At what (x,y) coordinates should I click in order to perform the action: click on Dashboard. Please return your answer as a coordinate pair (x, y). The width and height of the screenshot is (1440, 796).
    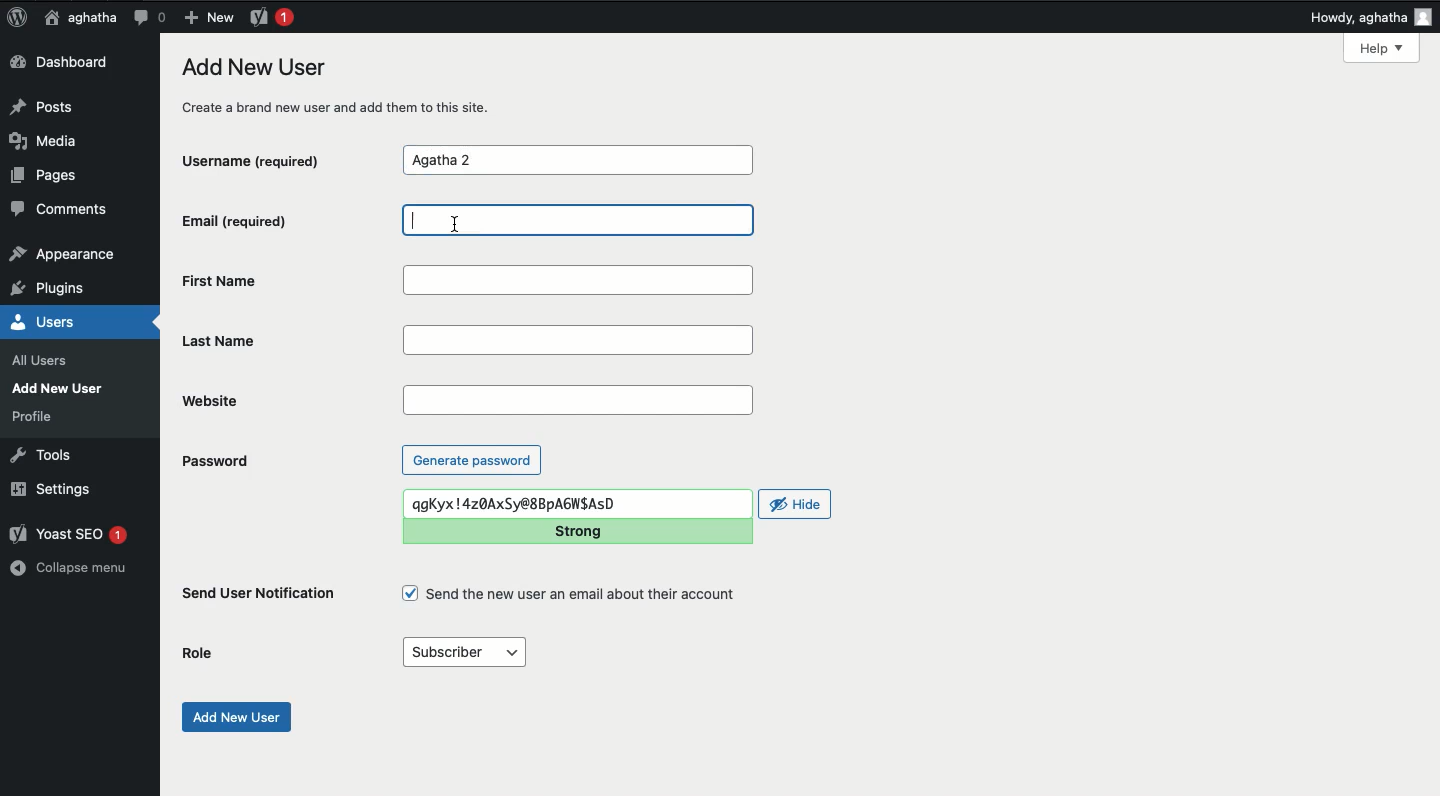
    Looking at the image, I should click on (65, 63).